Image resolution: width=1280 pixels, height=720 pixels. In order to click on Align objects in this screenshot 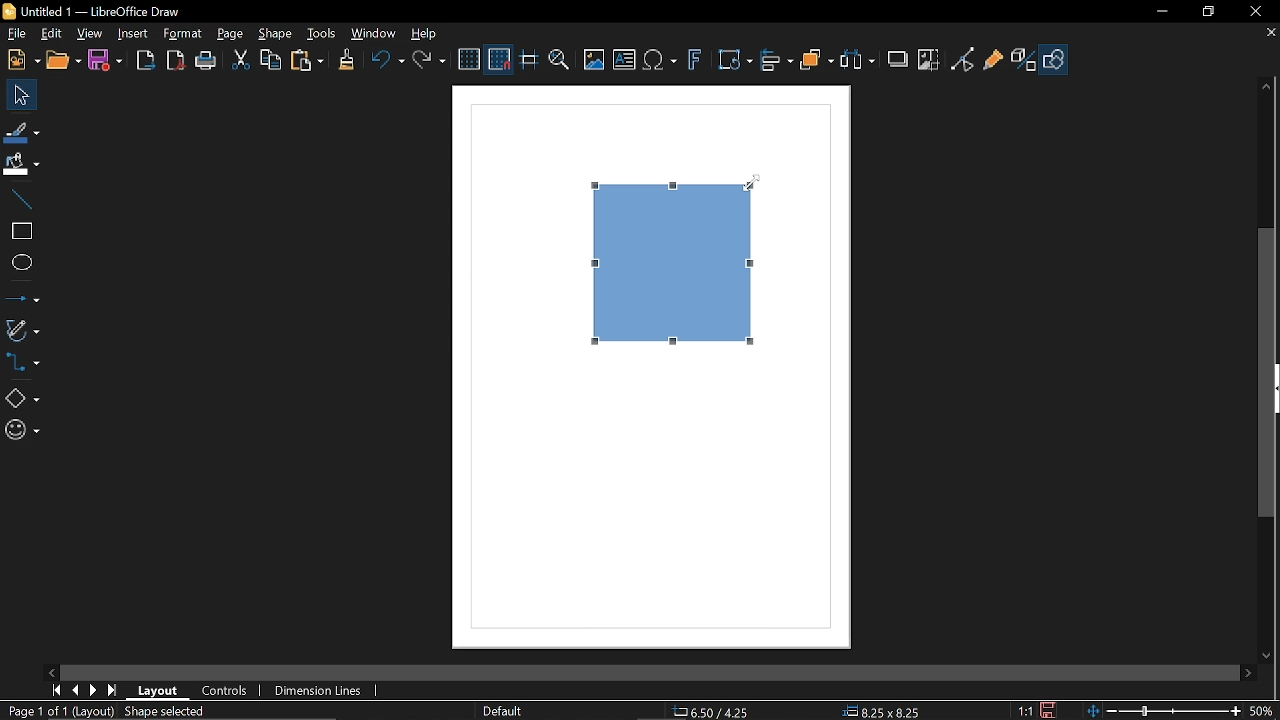, I will do `click(777, 61)`.